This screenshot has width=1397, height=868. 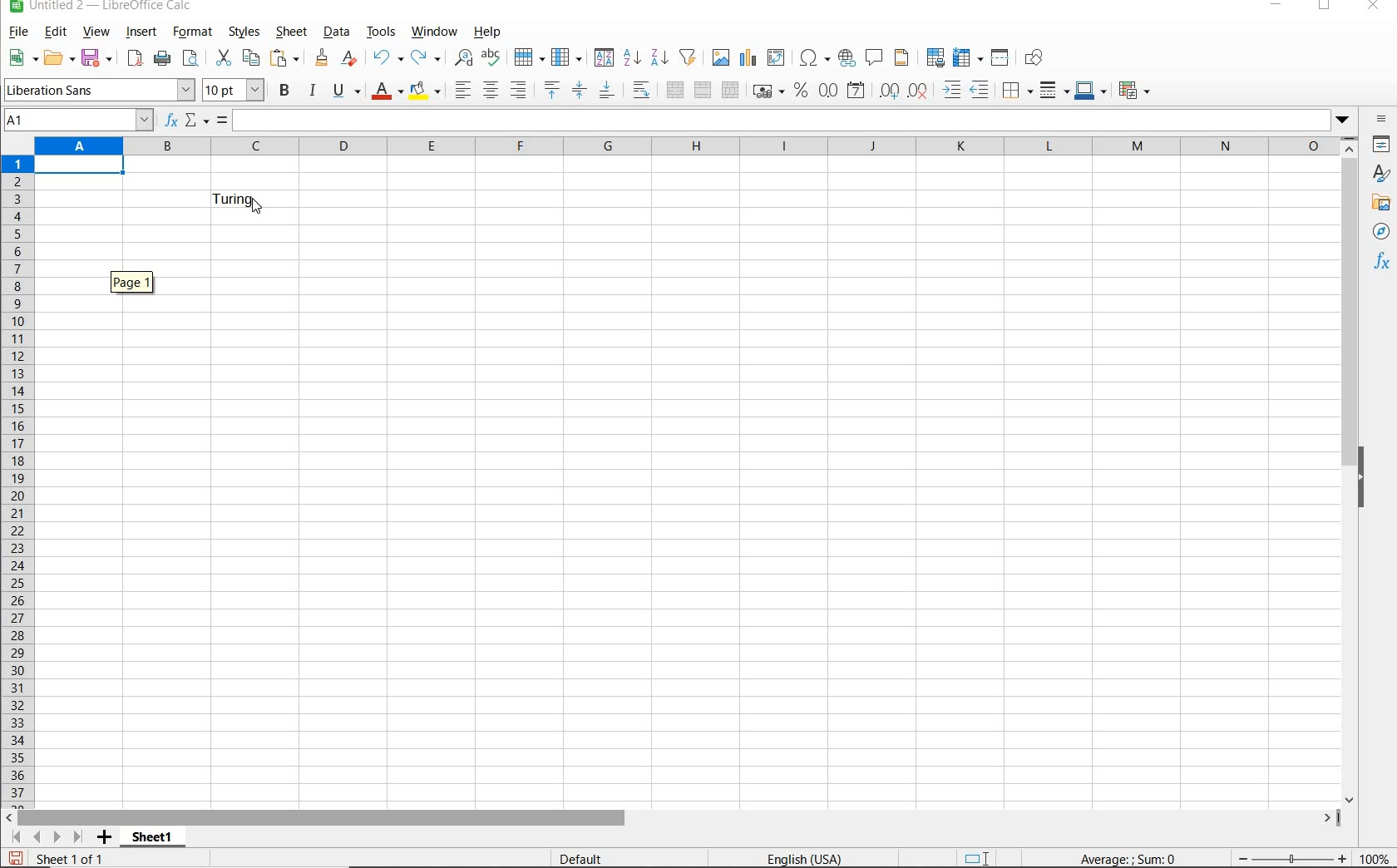 I want to click on SORT ASCENDING, so click(x=632, y=59).